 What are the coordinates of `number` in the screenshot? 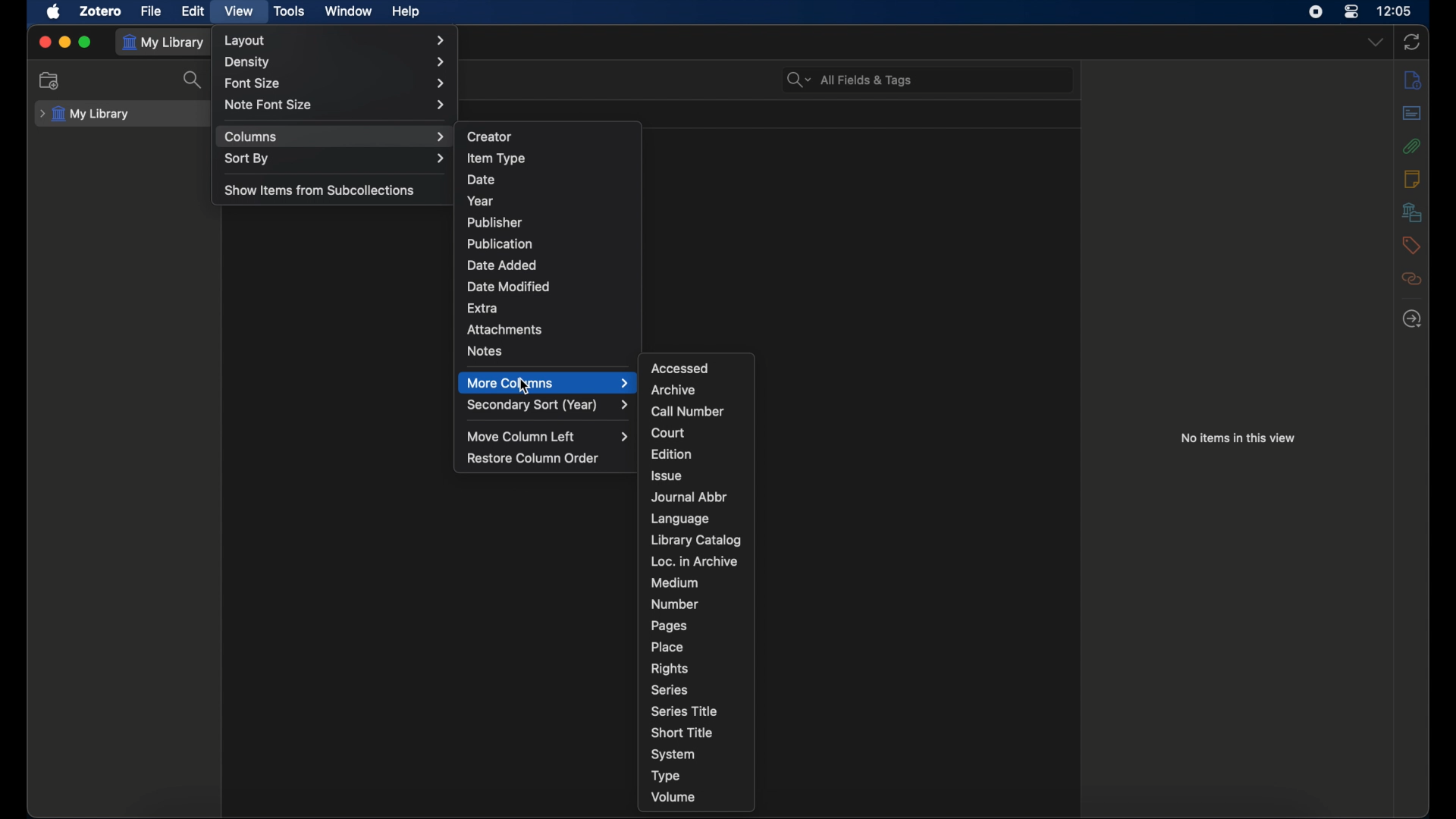 It's located at (675, 604).